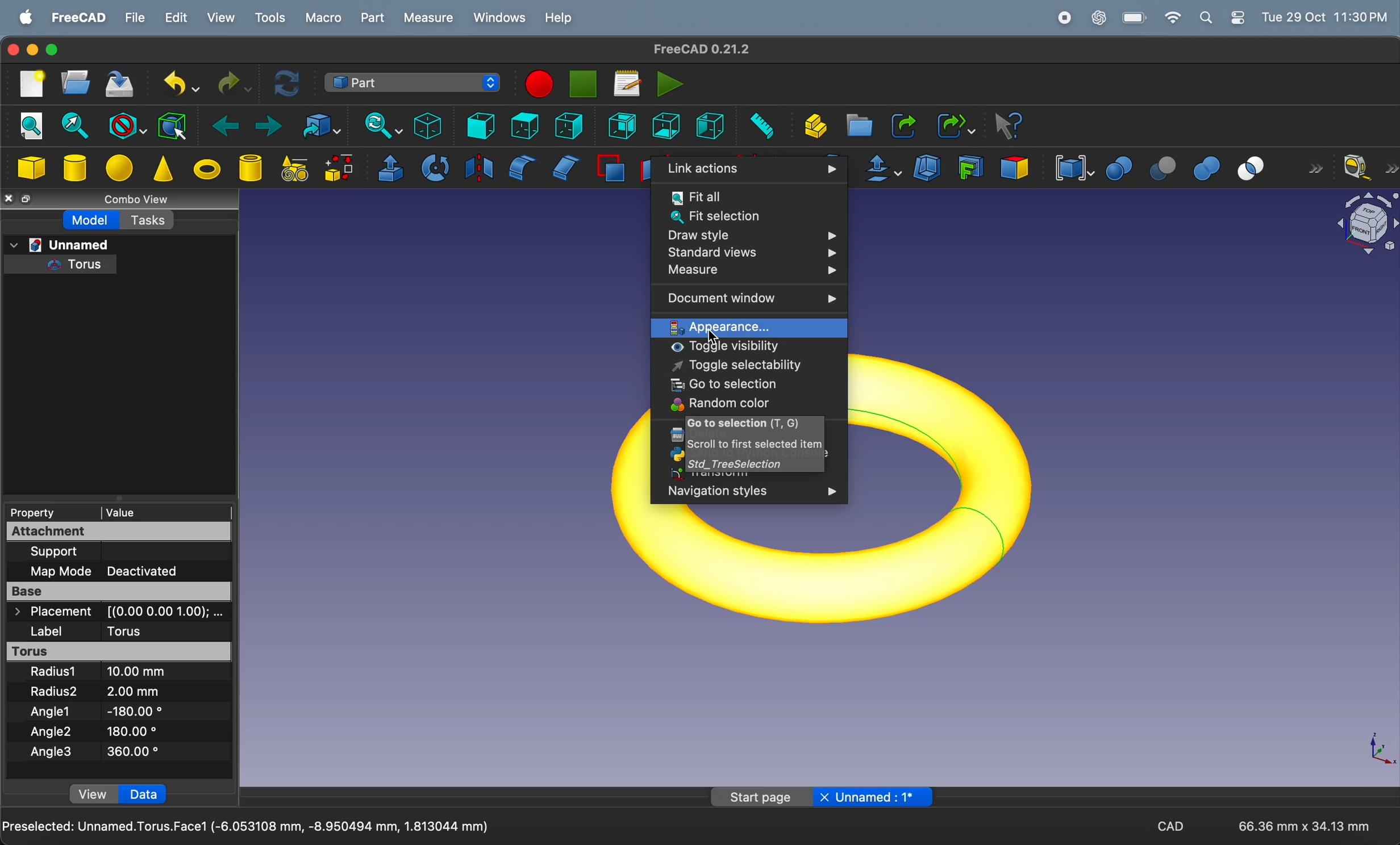 Image resolution: width=1400 pixels, height=845 pixels. I want to click on cube, so click(34, 168).